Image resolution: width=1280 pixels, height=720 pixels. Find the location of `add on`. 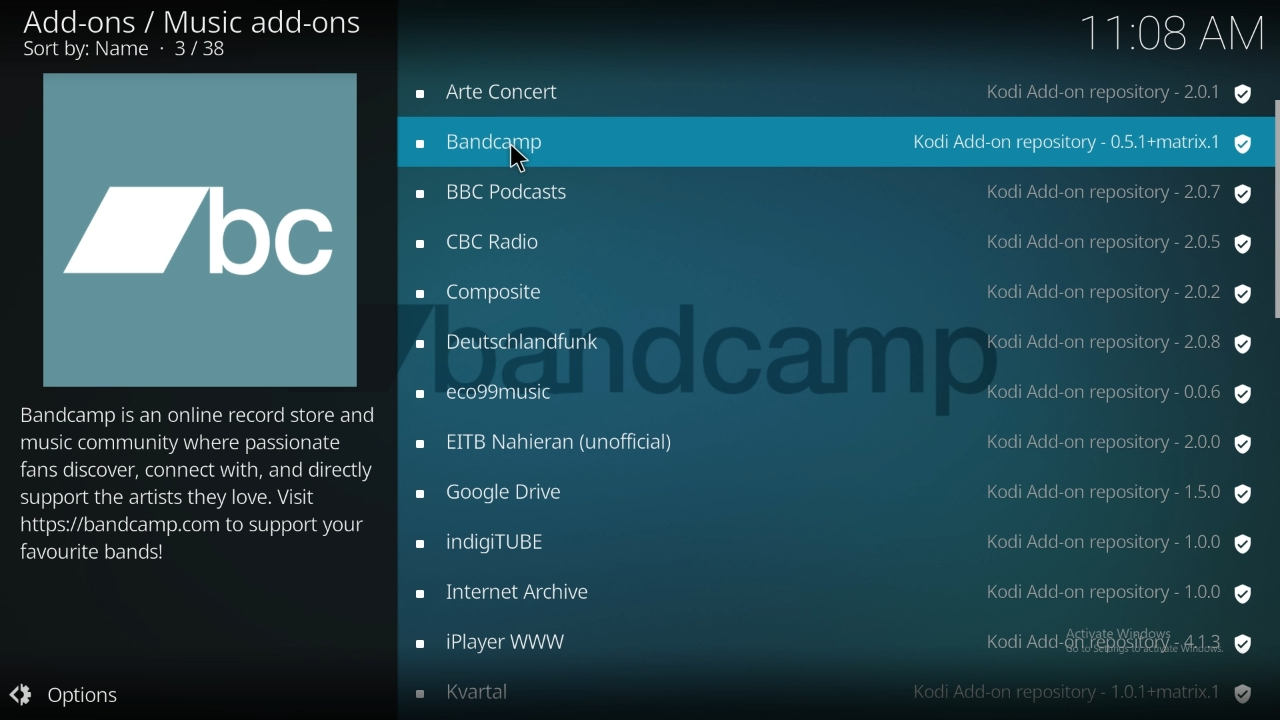

add on is located at coordinates (833, 294).